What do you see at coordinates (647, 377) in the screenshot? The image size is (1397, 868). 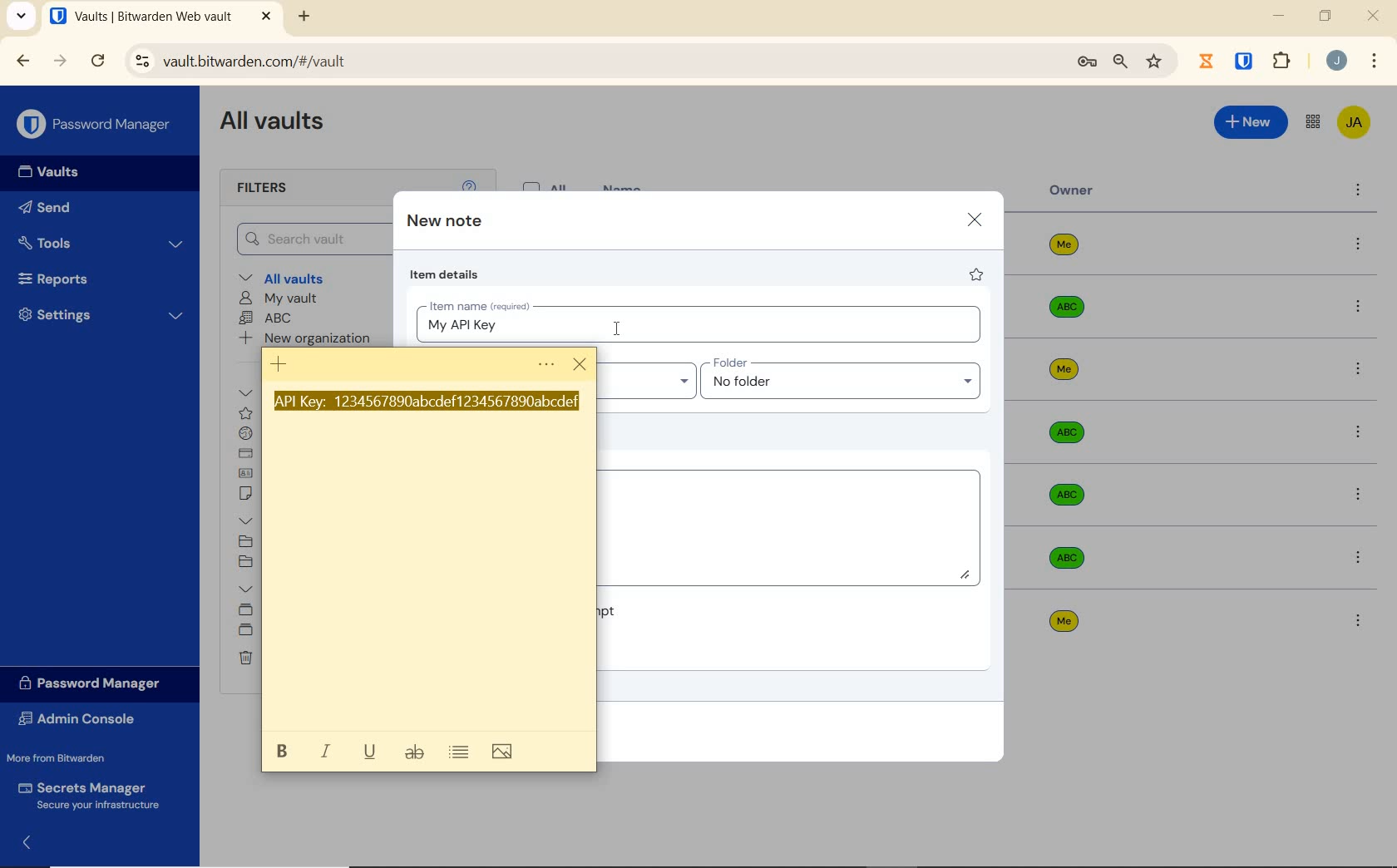 I see `Input Owner` at bounding box center [647, 377].